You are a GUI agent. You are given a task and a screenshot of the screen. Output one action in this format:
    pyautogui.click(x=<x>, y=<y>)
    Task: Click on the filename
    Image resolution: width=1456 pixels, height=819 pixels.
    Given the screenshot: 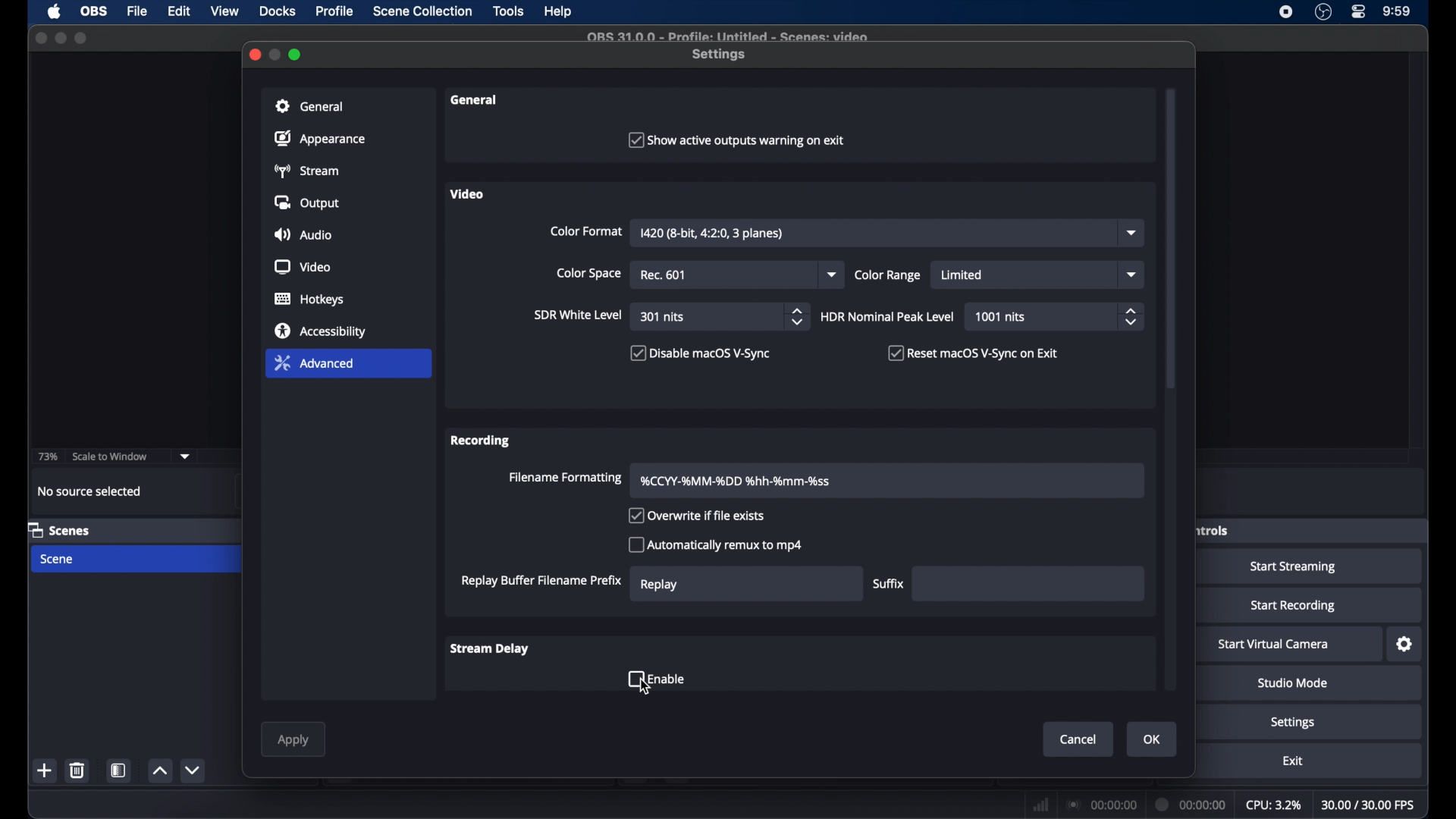 What is the action you would take?
    pyautogui.click(x=728, y=37)
    